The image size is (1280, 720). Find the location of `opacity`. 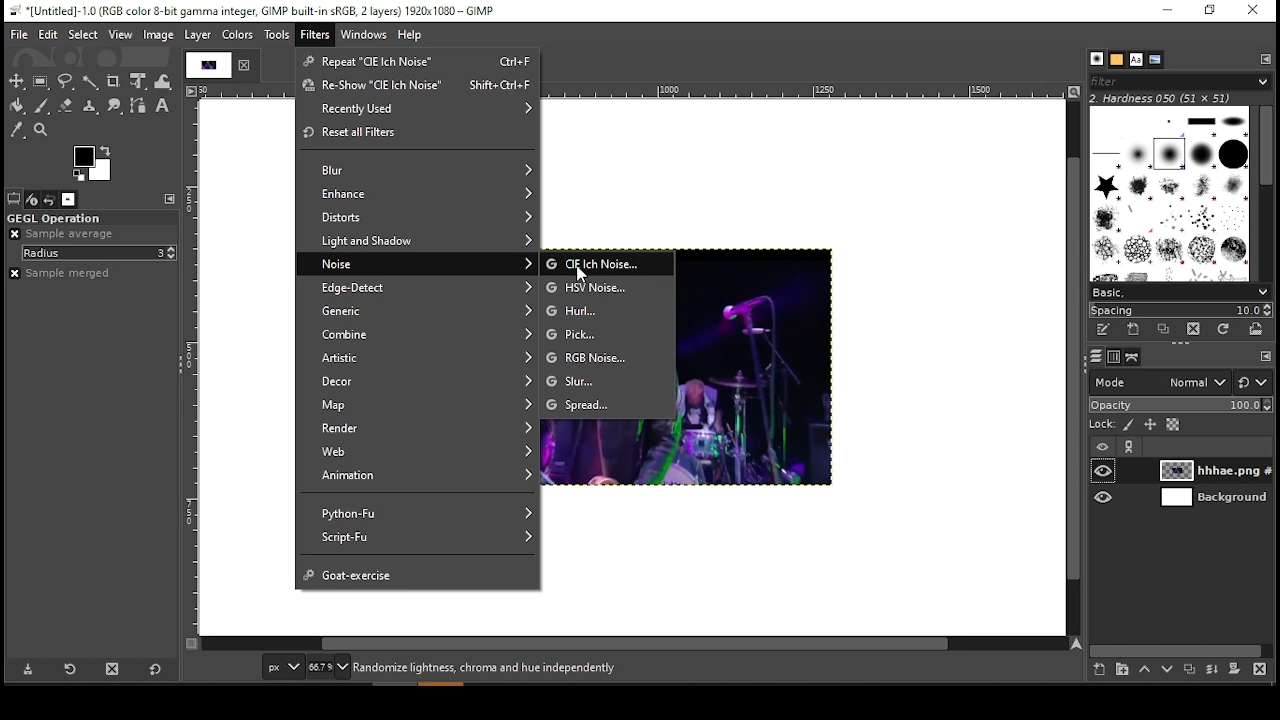

opacity is located at coordinates (1179, 405).